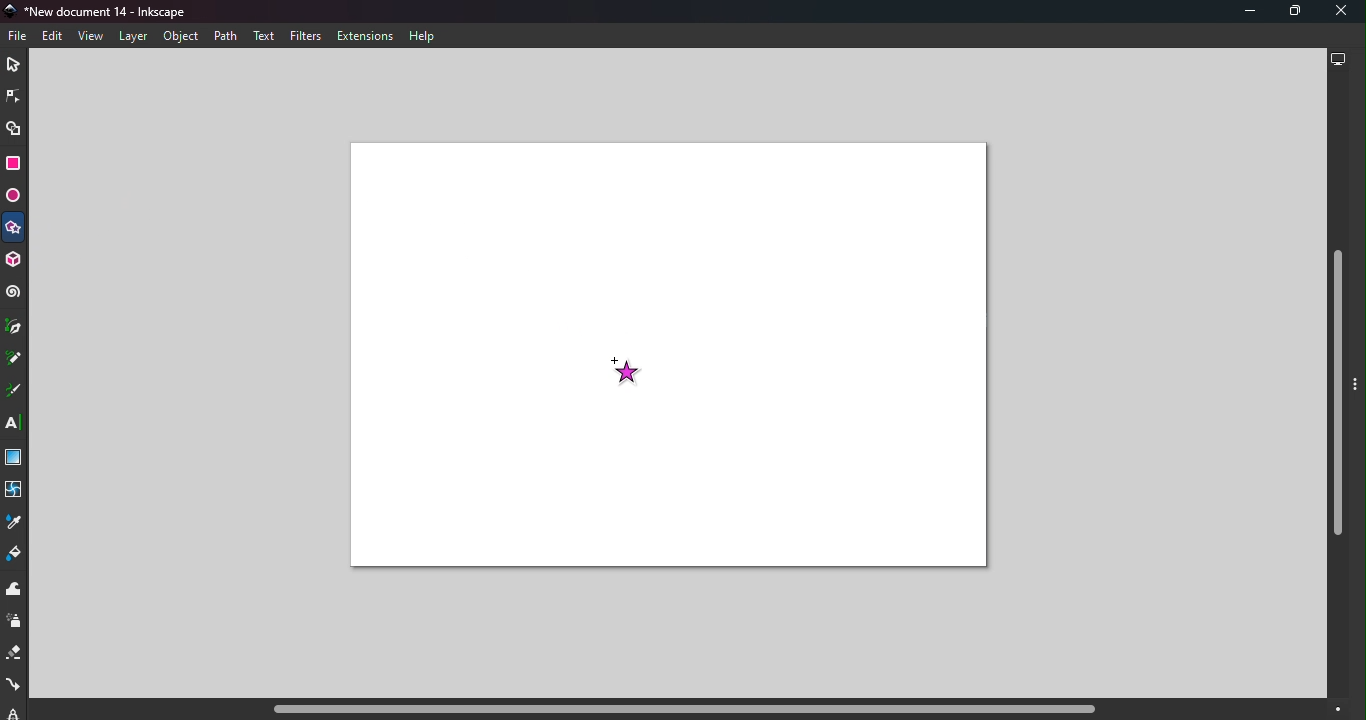 The image size is (1366, 720). I want to click on Close, so click(1342, 12).